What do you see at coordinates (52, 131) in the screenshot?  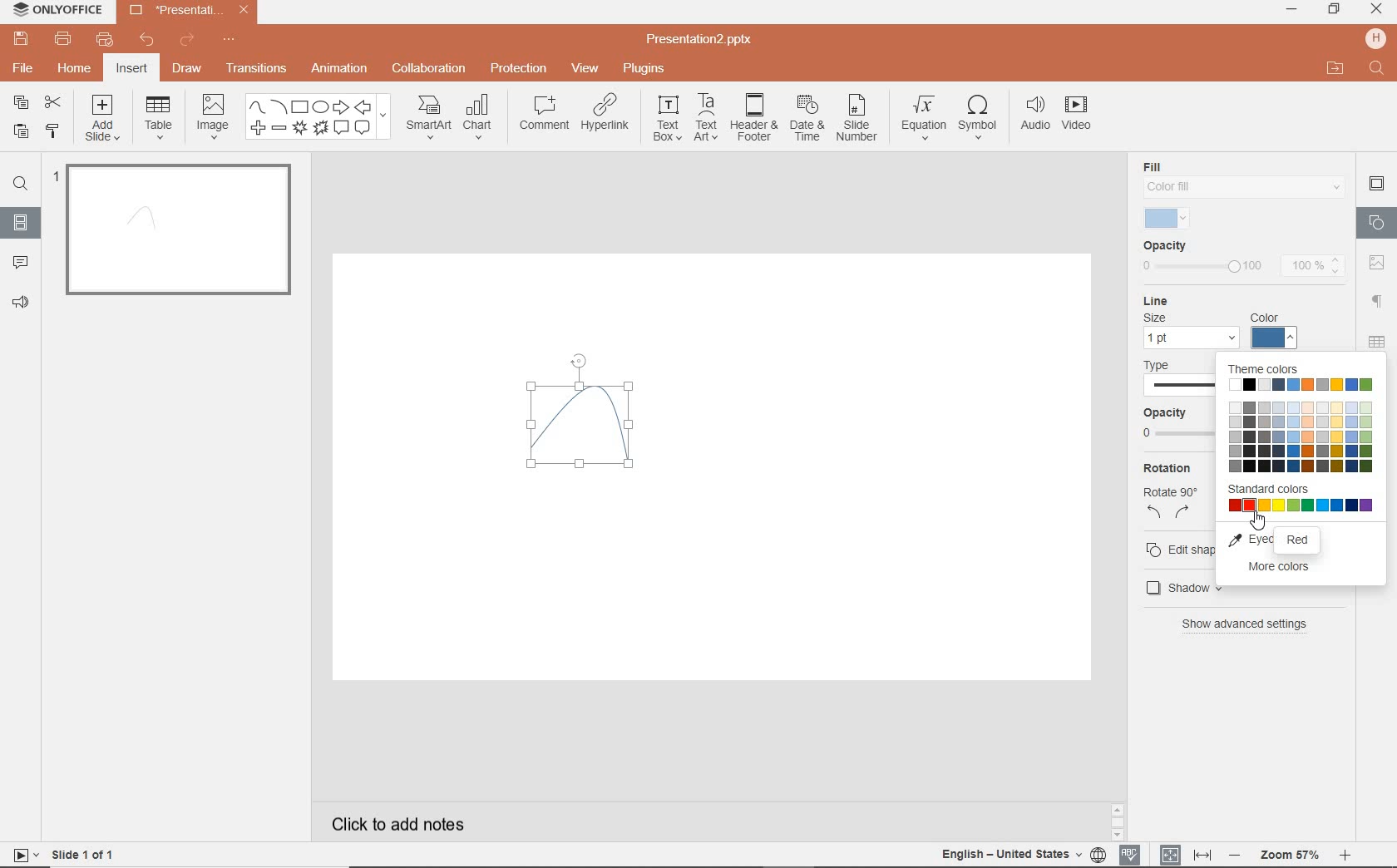 I see `COPY STYLE` at bounding box center [52, 131].